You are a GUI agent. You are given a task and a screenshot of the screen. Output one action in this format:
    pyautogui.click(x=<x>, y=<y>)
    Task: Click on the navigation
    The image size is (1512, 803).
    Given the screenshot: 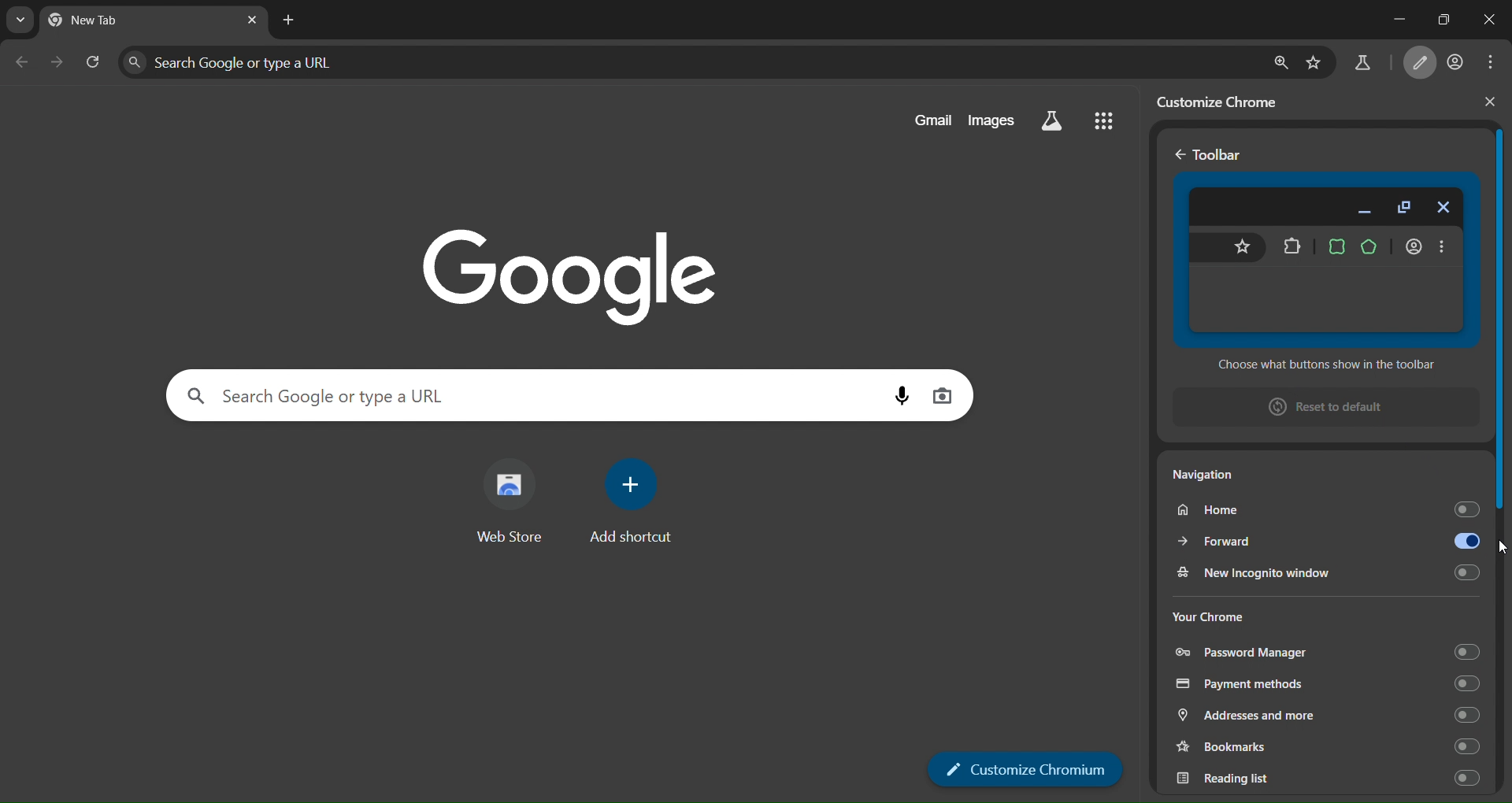 What is the action you would take?
    pyautogui.click(x=1210, y=475)
    